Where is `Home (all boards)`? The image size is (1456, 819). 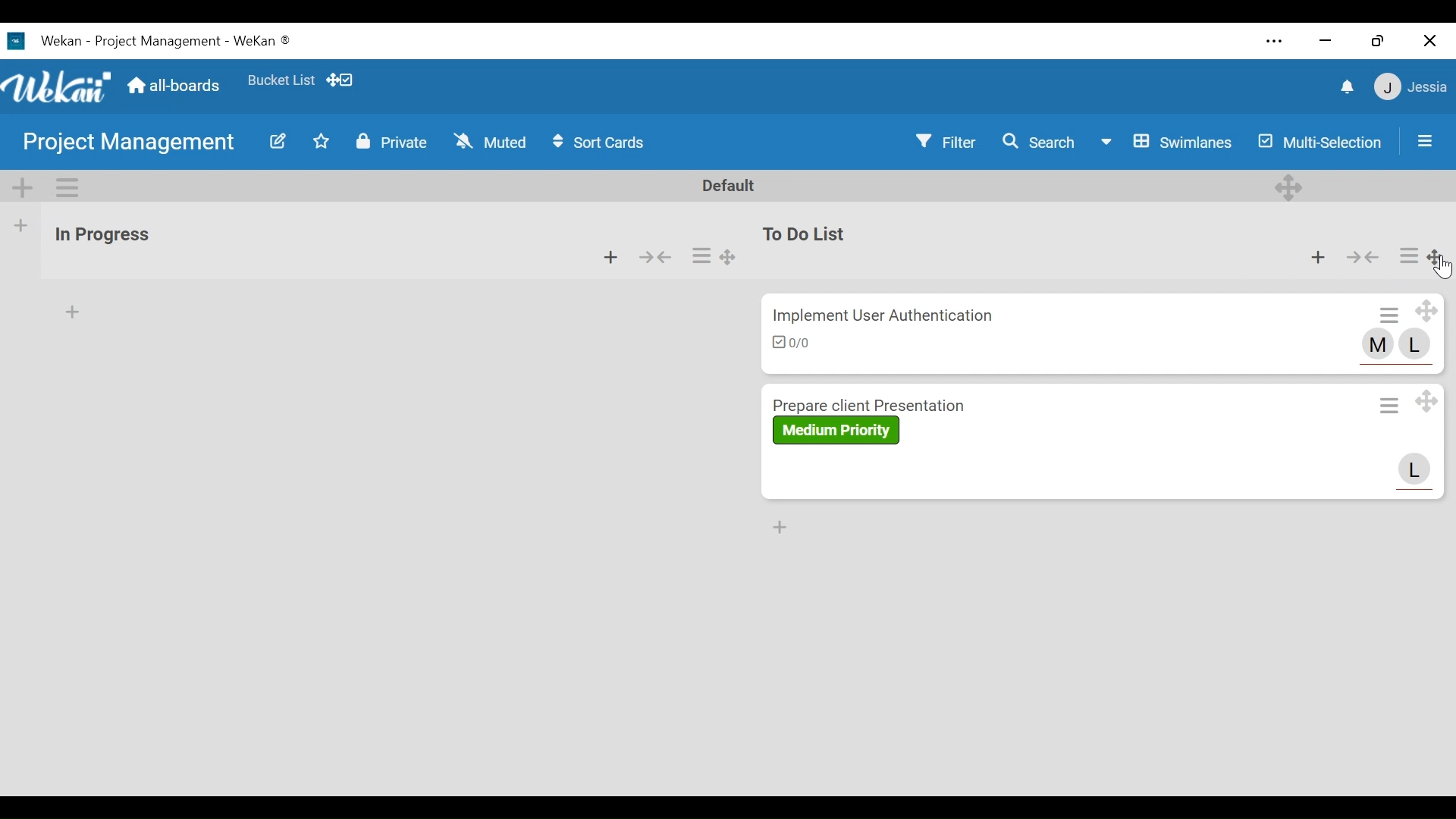 Home (all boards) is located at coordinates (176, 86).